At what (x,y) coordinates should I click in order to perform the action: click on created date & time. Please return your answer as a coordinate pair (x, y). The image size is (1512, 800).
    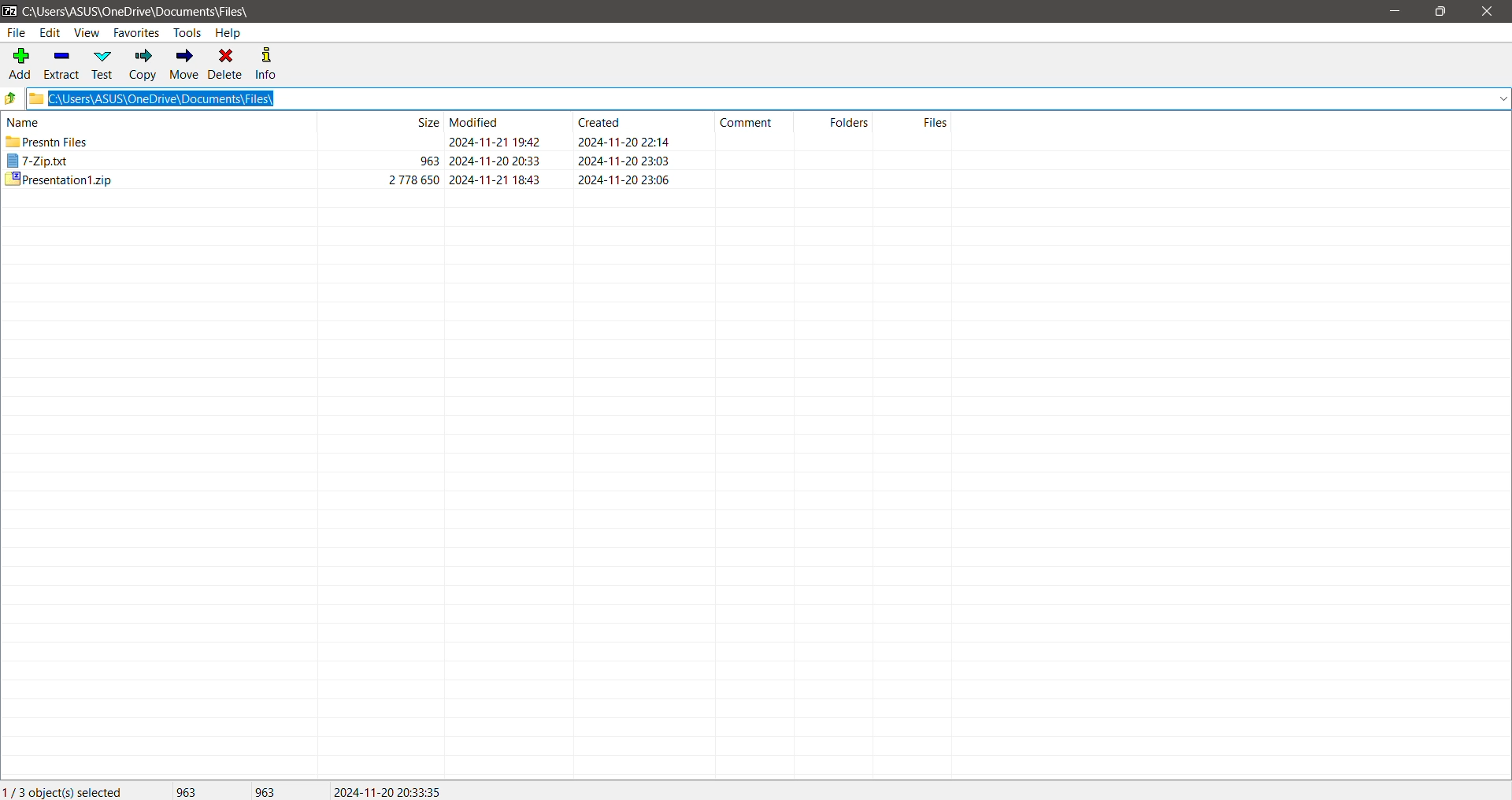
    Looking at the image, I should click on (625, 141).